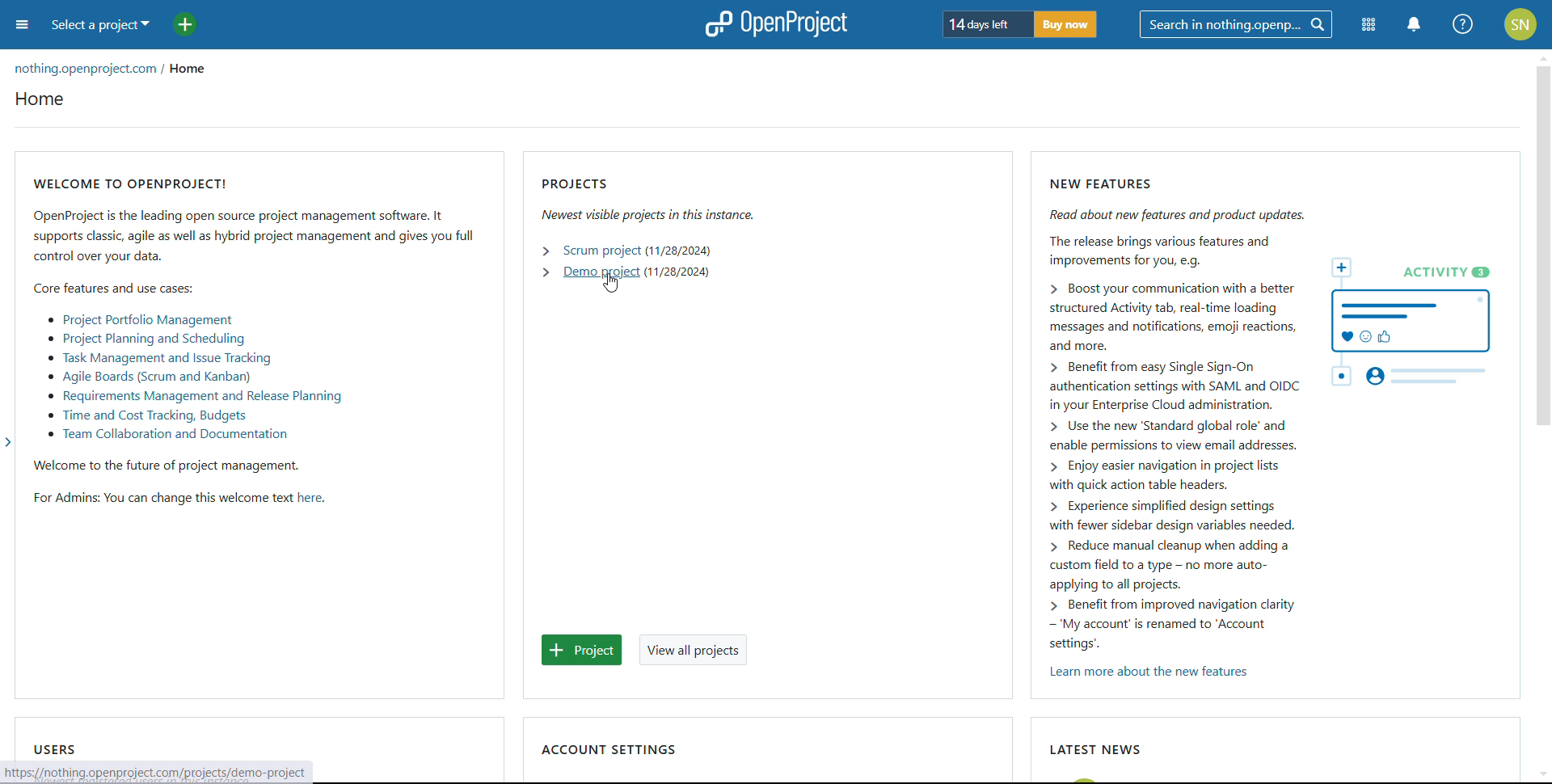 The height and width of the screenshot is (784, 1552). Describe the element at coordinates (23, 24) in the screenshot. I see `open sidebar menu` at that location.